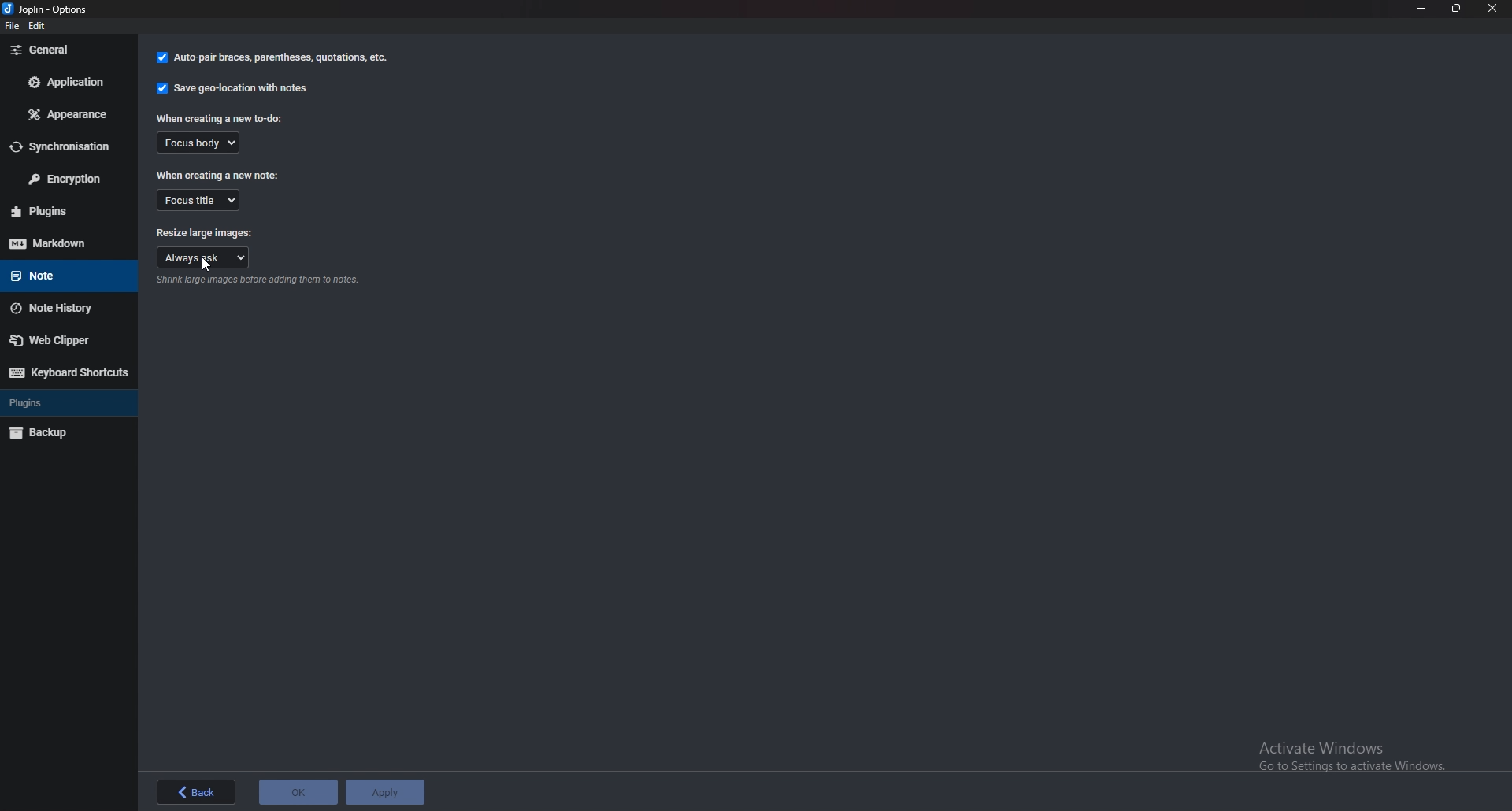 The image size is (1512, 811). What do you see at coordinates (57, 402) in the screenshot?
I see `Plugins` at bounding box center [57, 402].